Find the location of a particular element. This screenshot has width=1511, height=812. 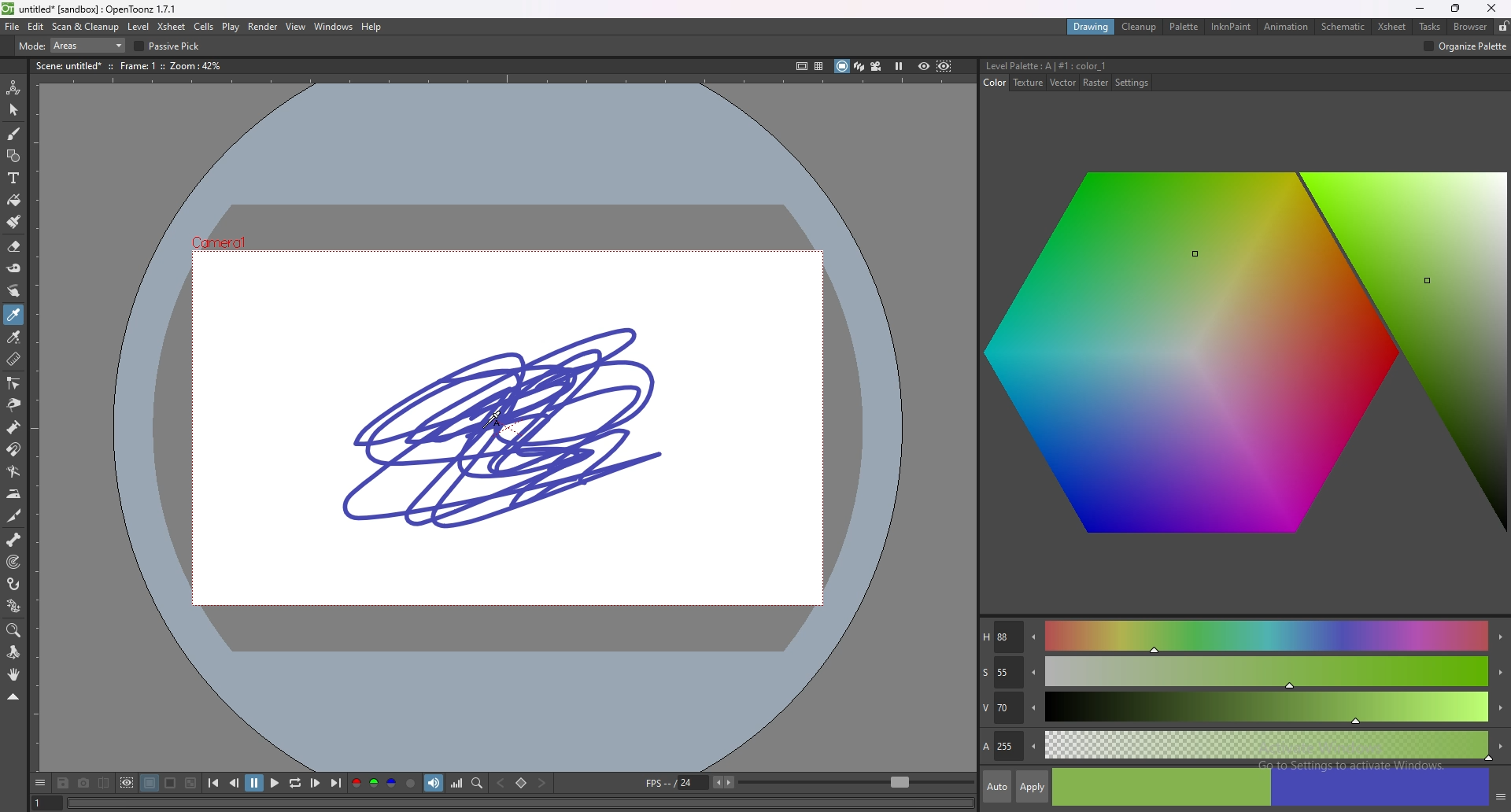

magnet tool is located at coordinates (13, 449).